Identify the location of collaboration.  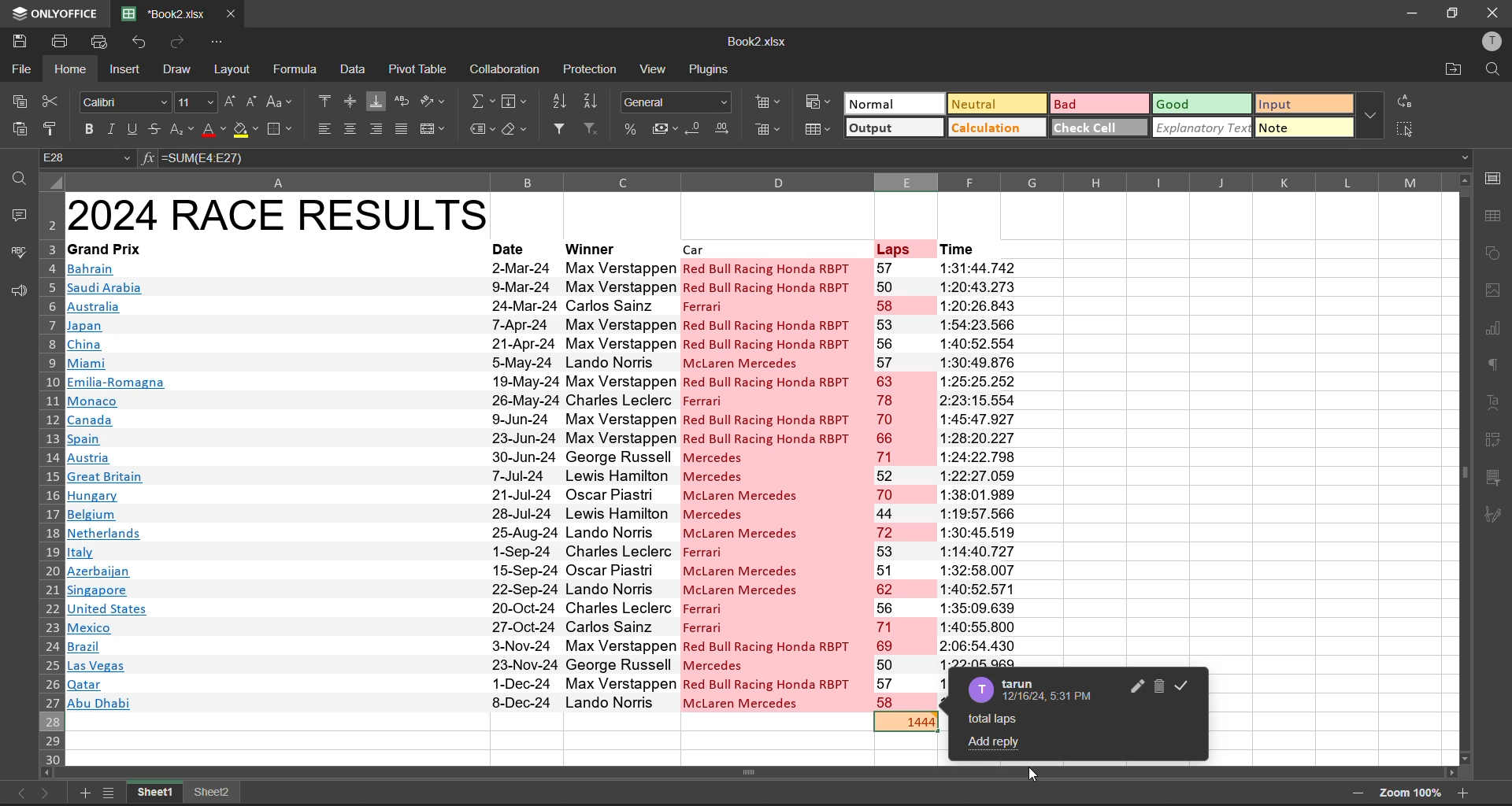
(507, 70).